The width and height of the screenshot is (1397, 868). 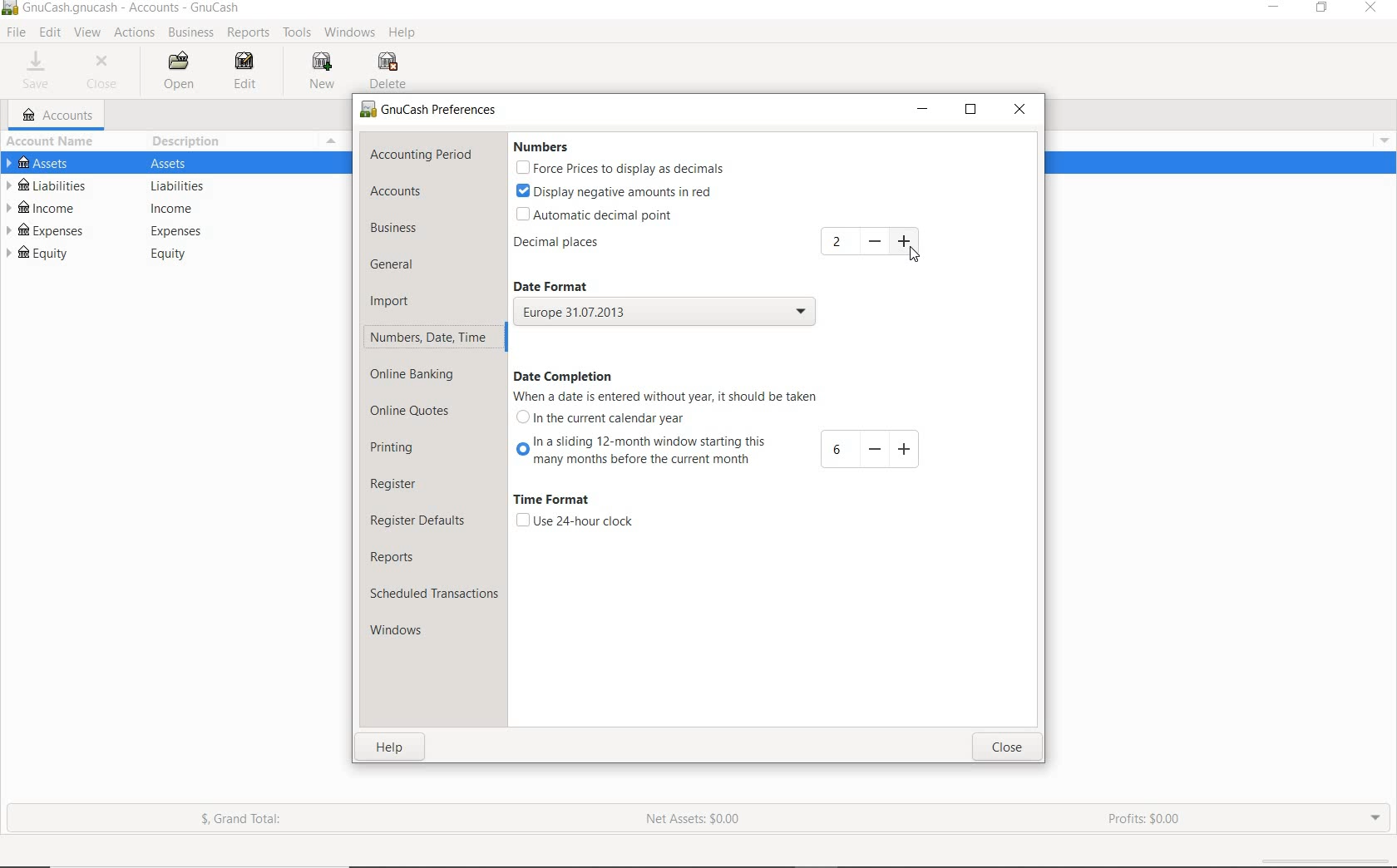 What do you see at coordinates (406, 555) in the screenshot?
I see `reports` at bounding box center [406, 555].